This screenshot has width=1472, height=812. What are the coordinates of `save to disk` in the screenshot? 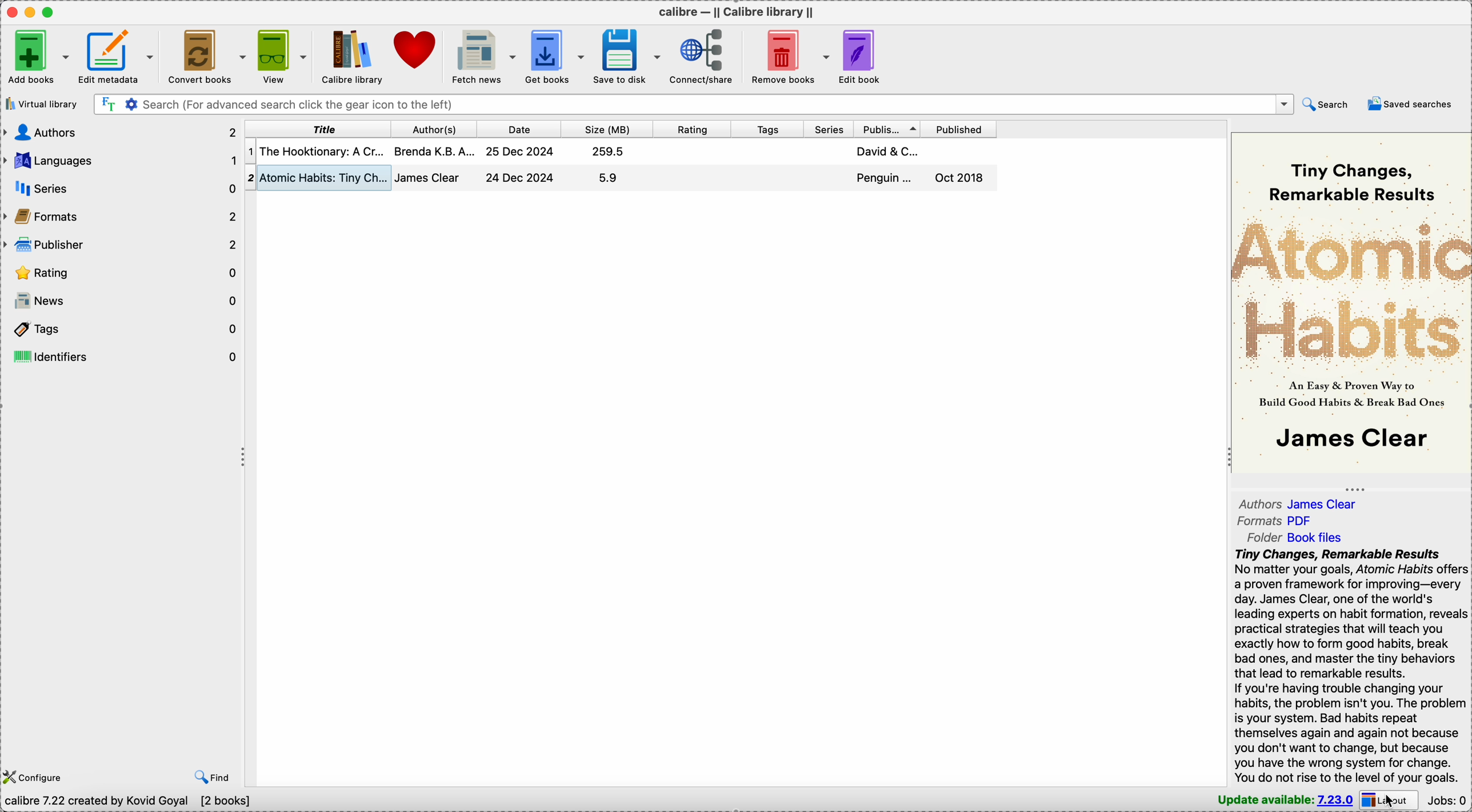 It's located at (629, 55).